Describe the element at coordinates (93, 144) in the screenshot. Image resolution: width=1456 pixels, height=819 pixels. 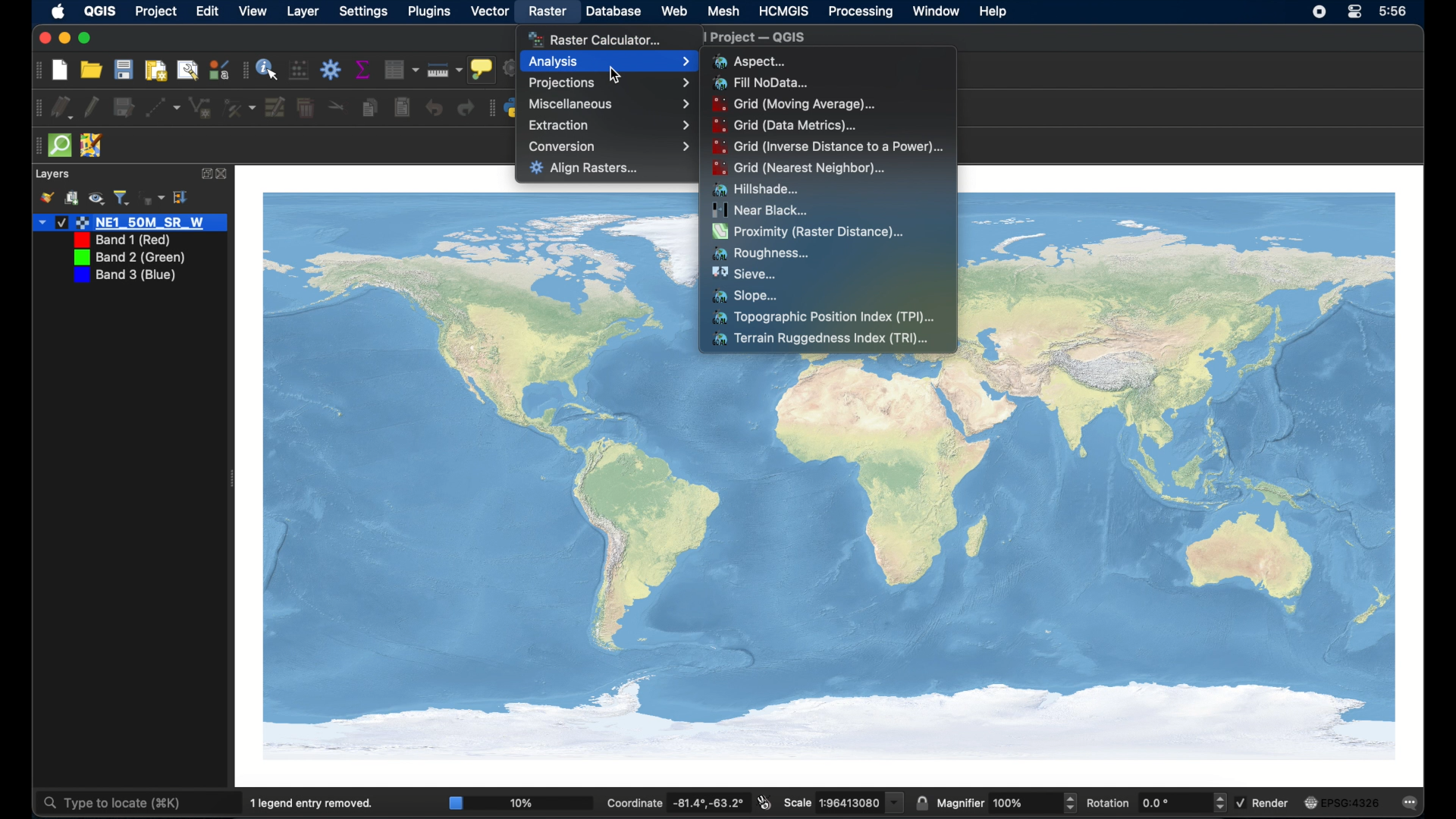
I see `jsom remote` at that location.